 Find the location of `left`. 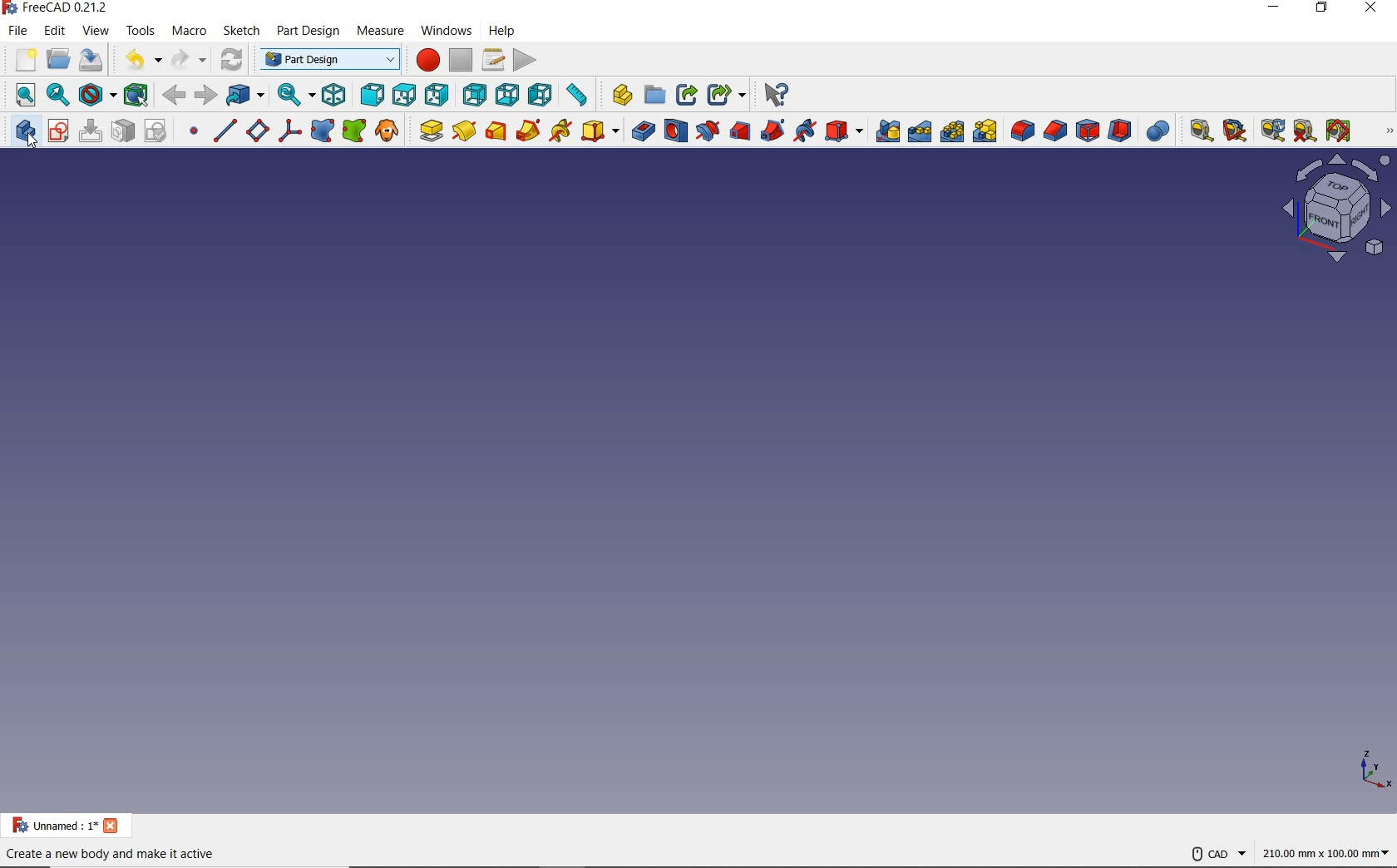

left is located at coordinates (540, 92).